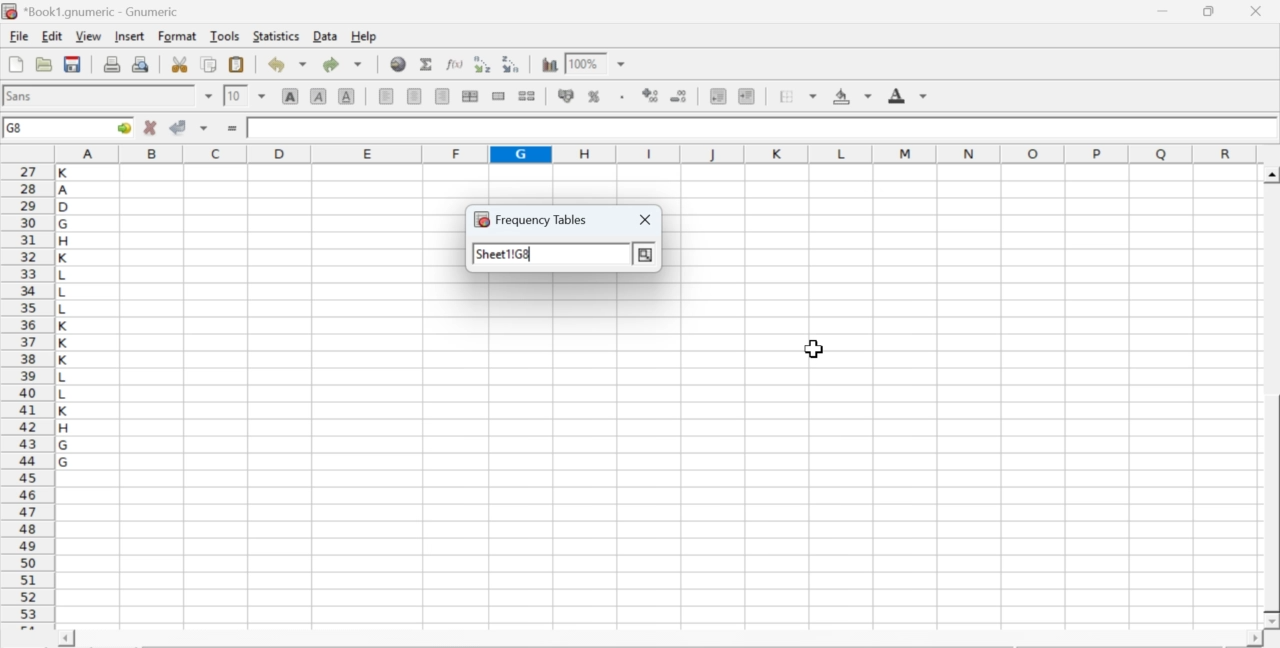  Describe the element at coordinates (42, 64) in the screenshot. I see `open` at that location.